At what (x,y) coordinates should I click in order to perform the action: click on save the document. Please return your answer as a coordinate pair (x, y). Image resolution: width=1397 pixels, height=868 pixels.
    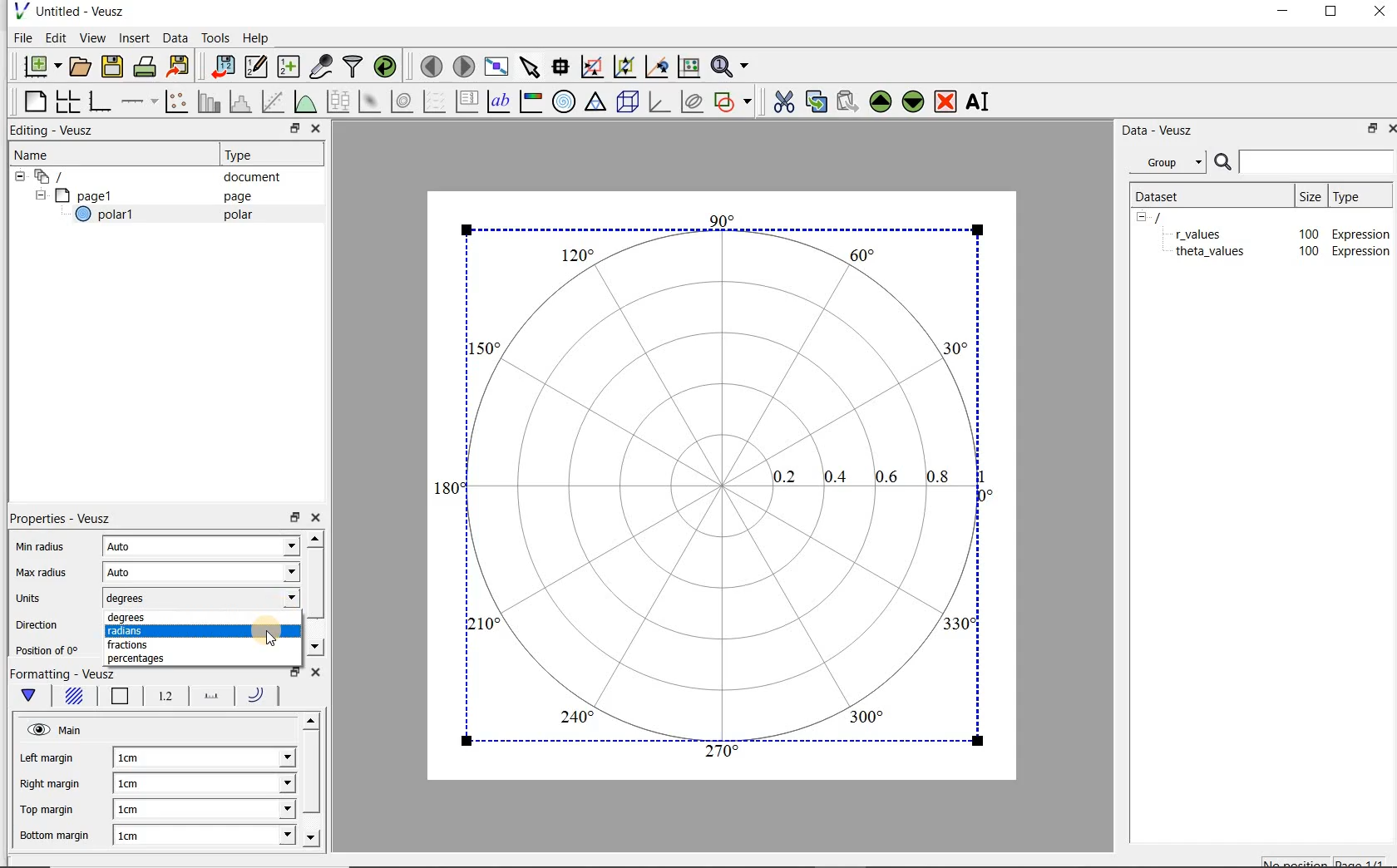
    Looking at the image, I should click on (116, 67).